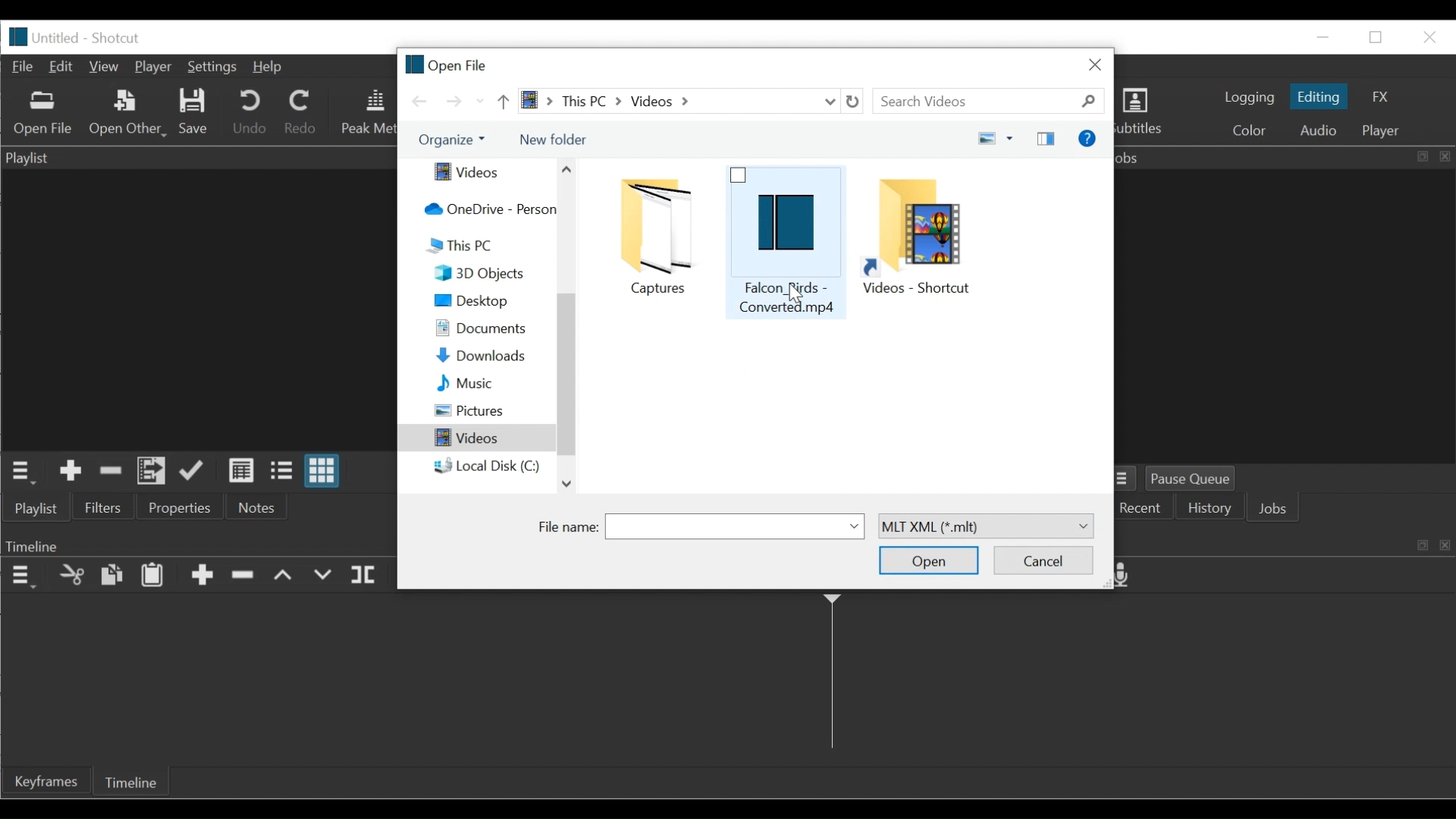  I want to click on Timeline Panel, so click(199, 544).